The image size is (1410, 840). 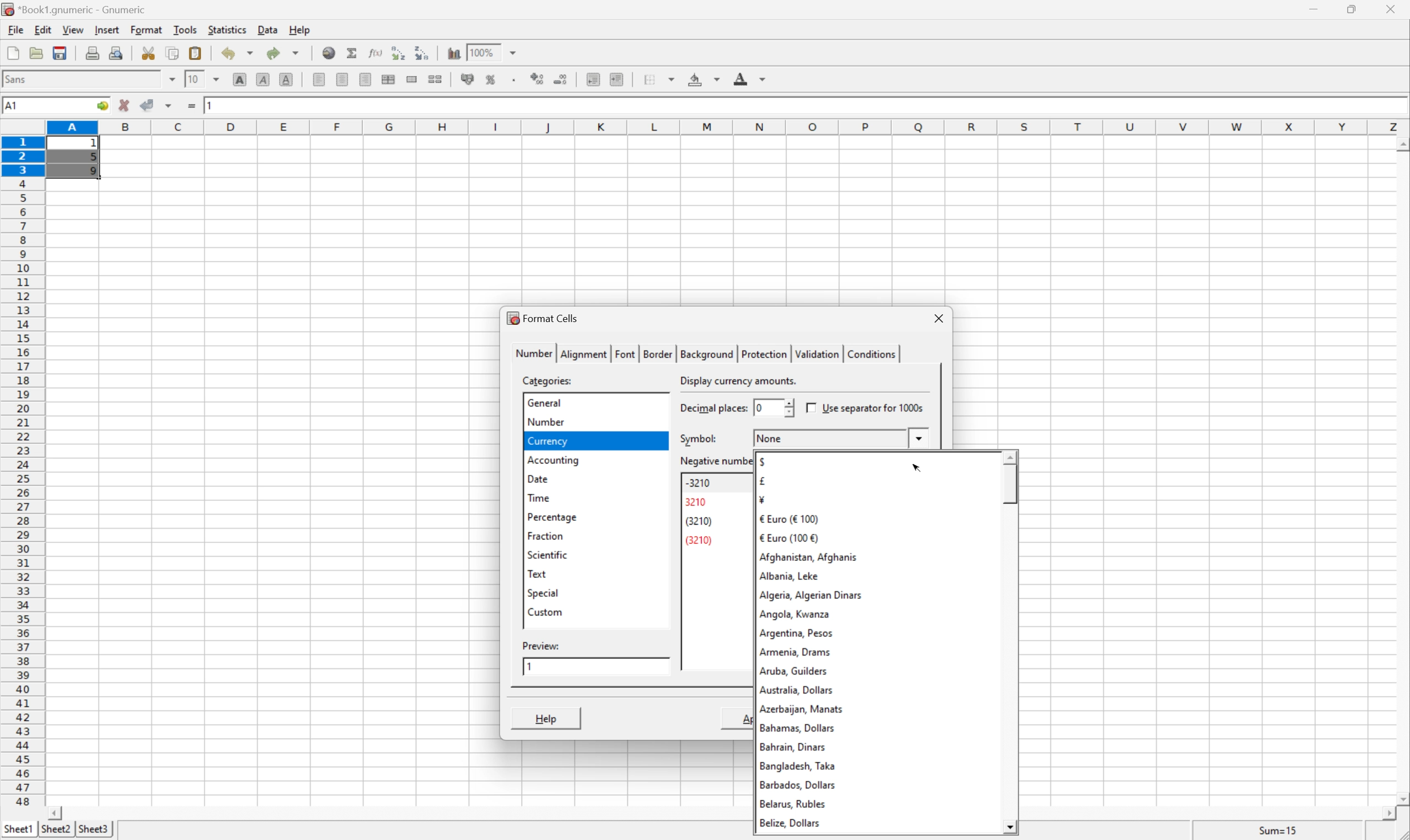 I want to click on decrease indent, so click(x=594, y=79).